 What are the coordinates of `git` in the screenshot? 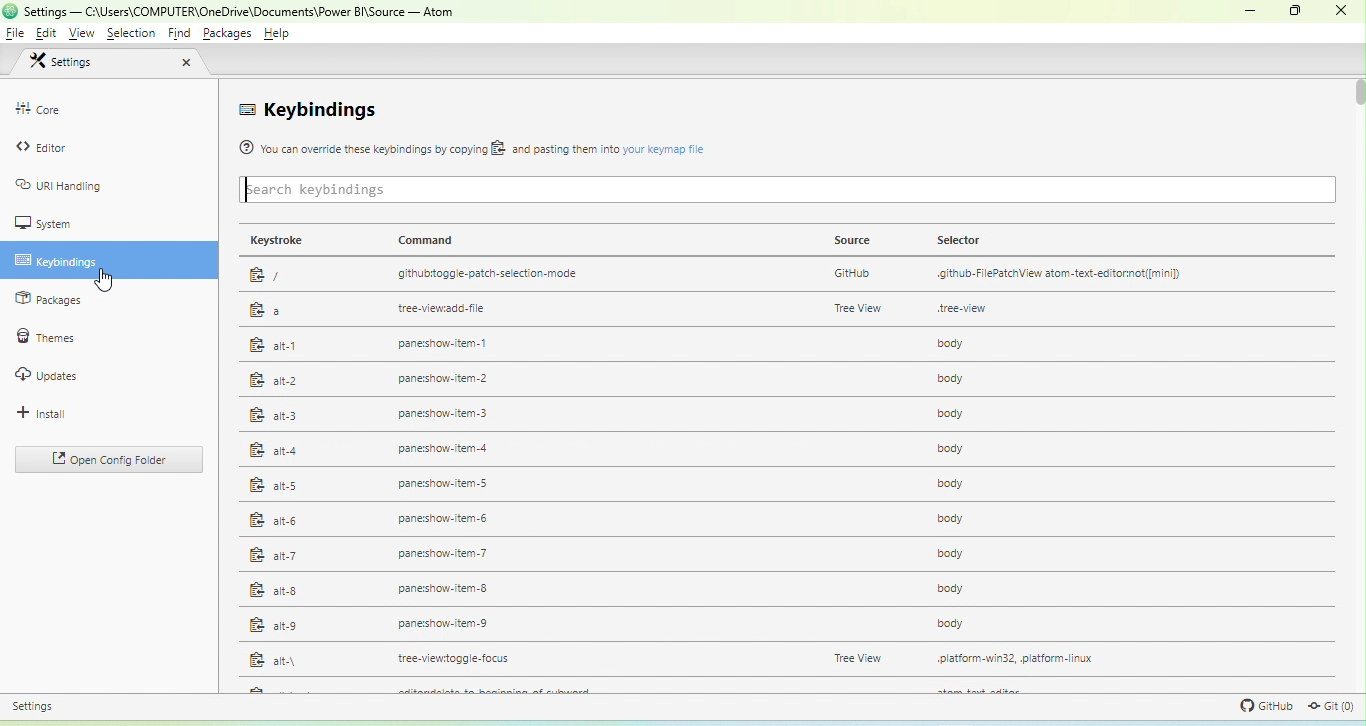 It's located at (1331, 706).